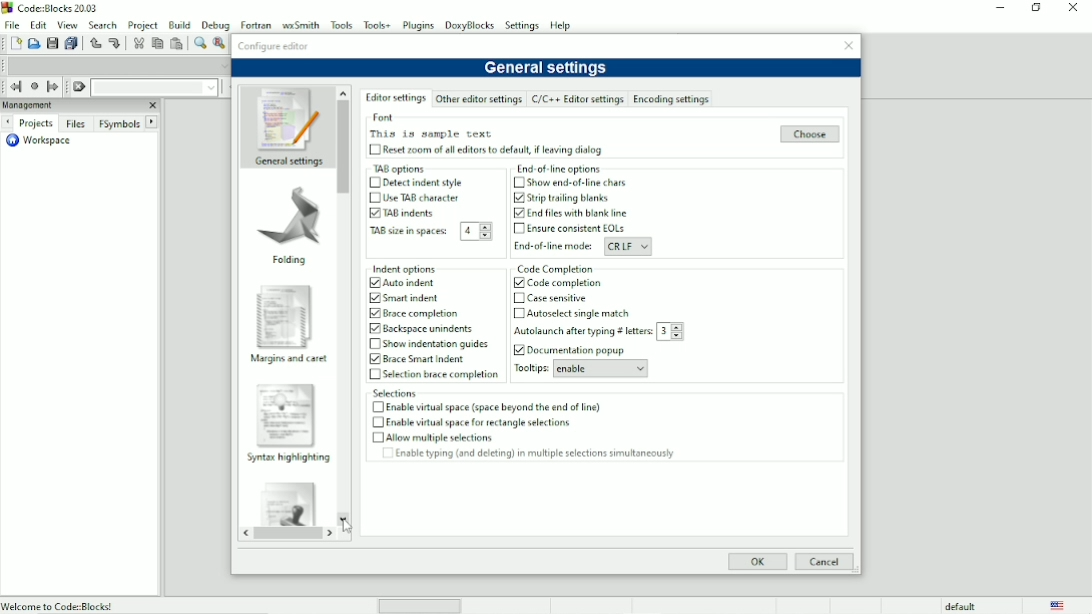  Describe the element at coordinates (757, 562) in the screenshot. I see `OK` at that location.